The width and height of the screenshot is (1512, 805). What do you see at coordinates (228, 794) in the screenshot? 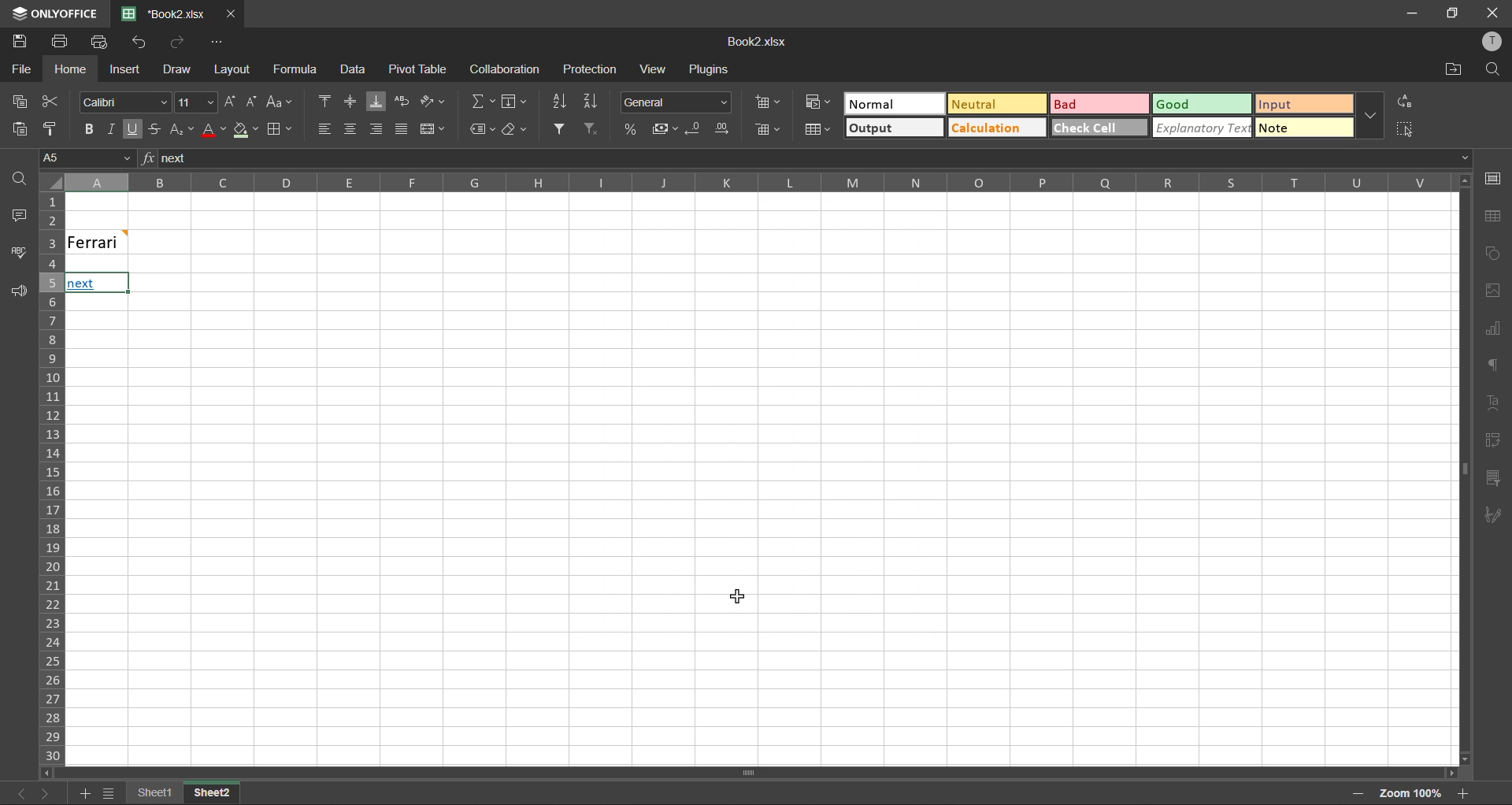
I see `sheet 2` at bounding box center [228, 794].